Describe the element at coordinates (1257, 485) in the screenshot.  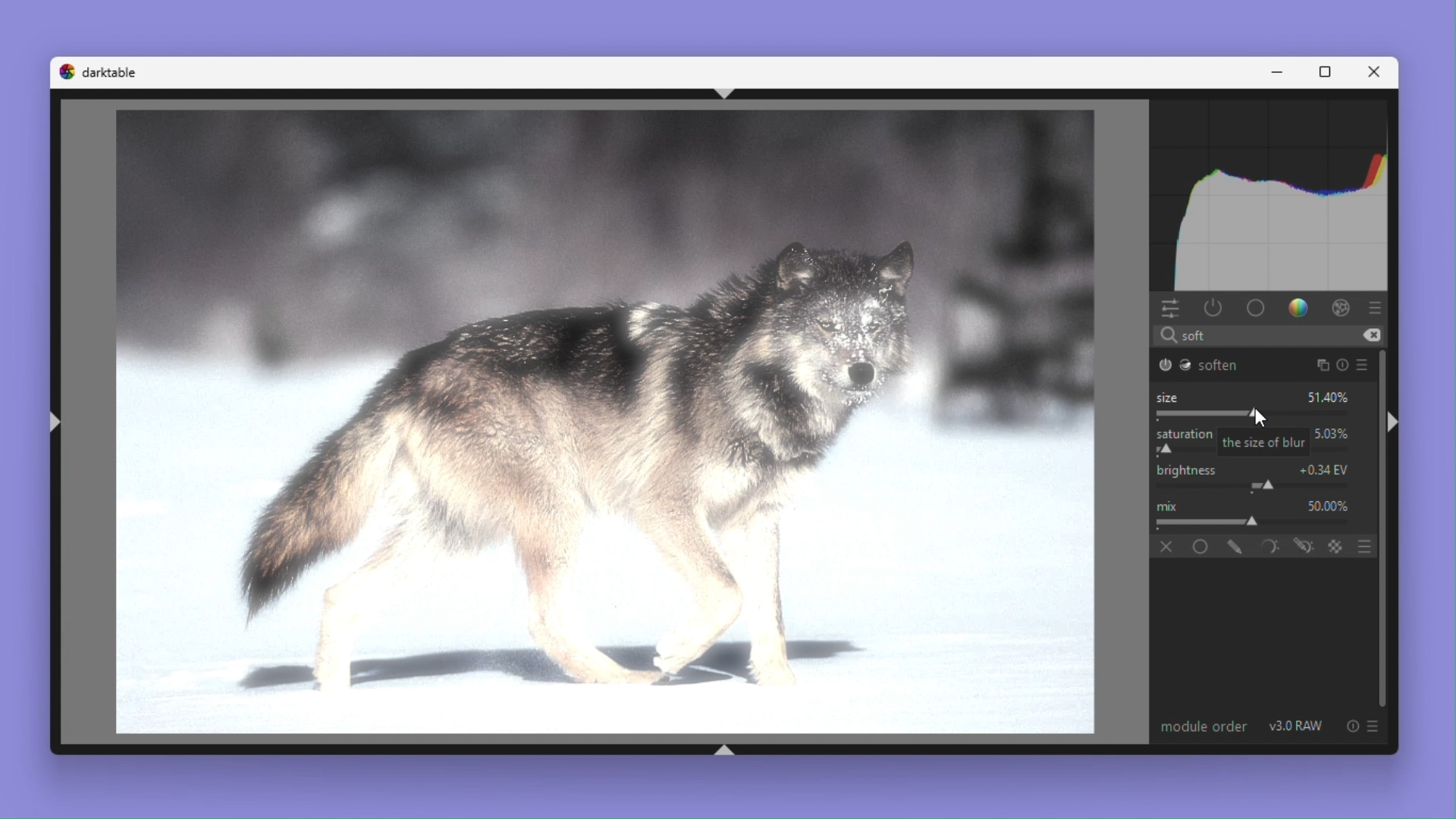
I see `slider` at that location.